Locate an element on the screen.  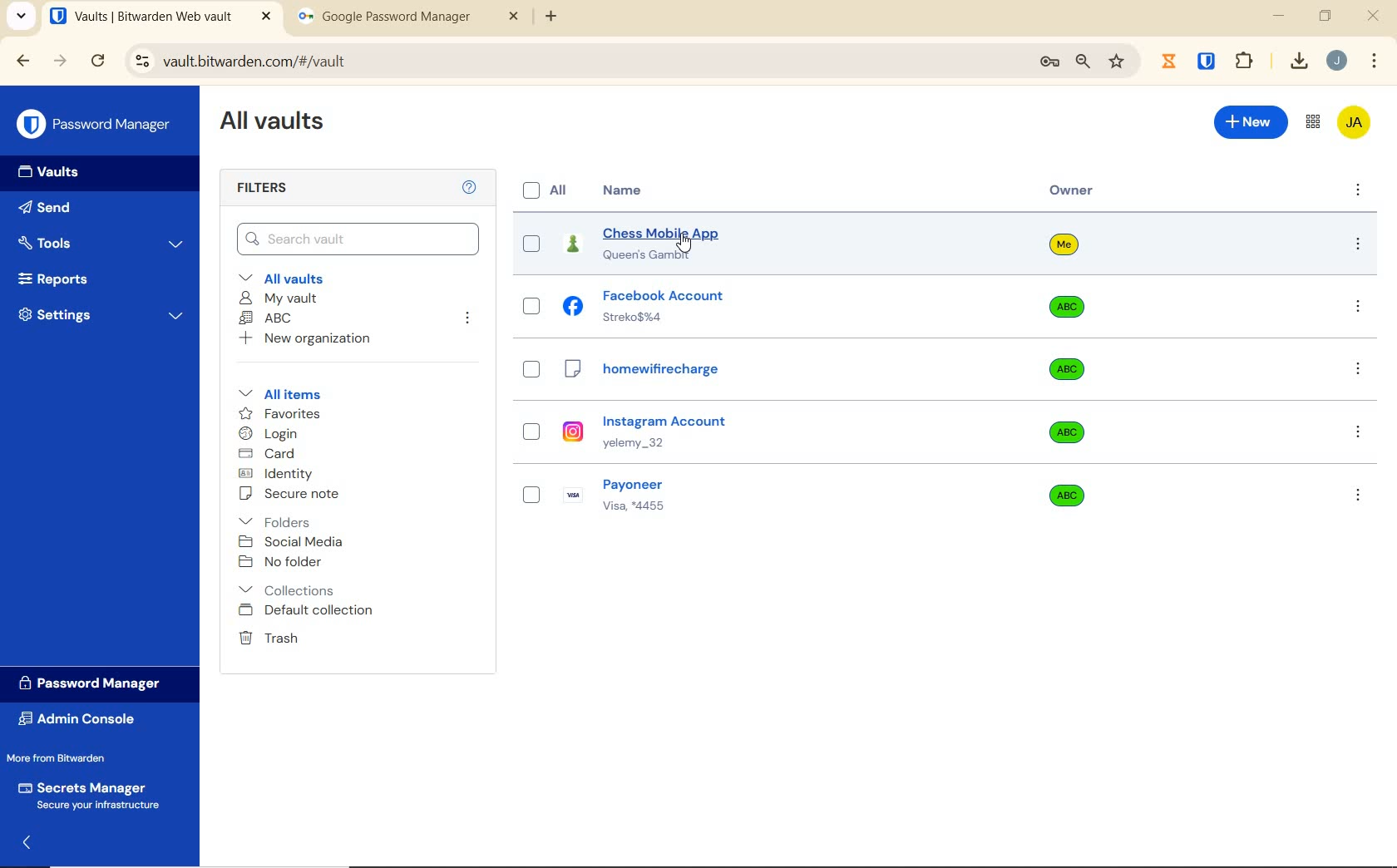
forward is located at coordinates (59, 62).